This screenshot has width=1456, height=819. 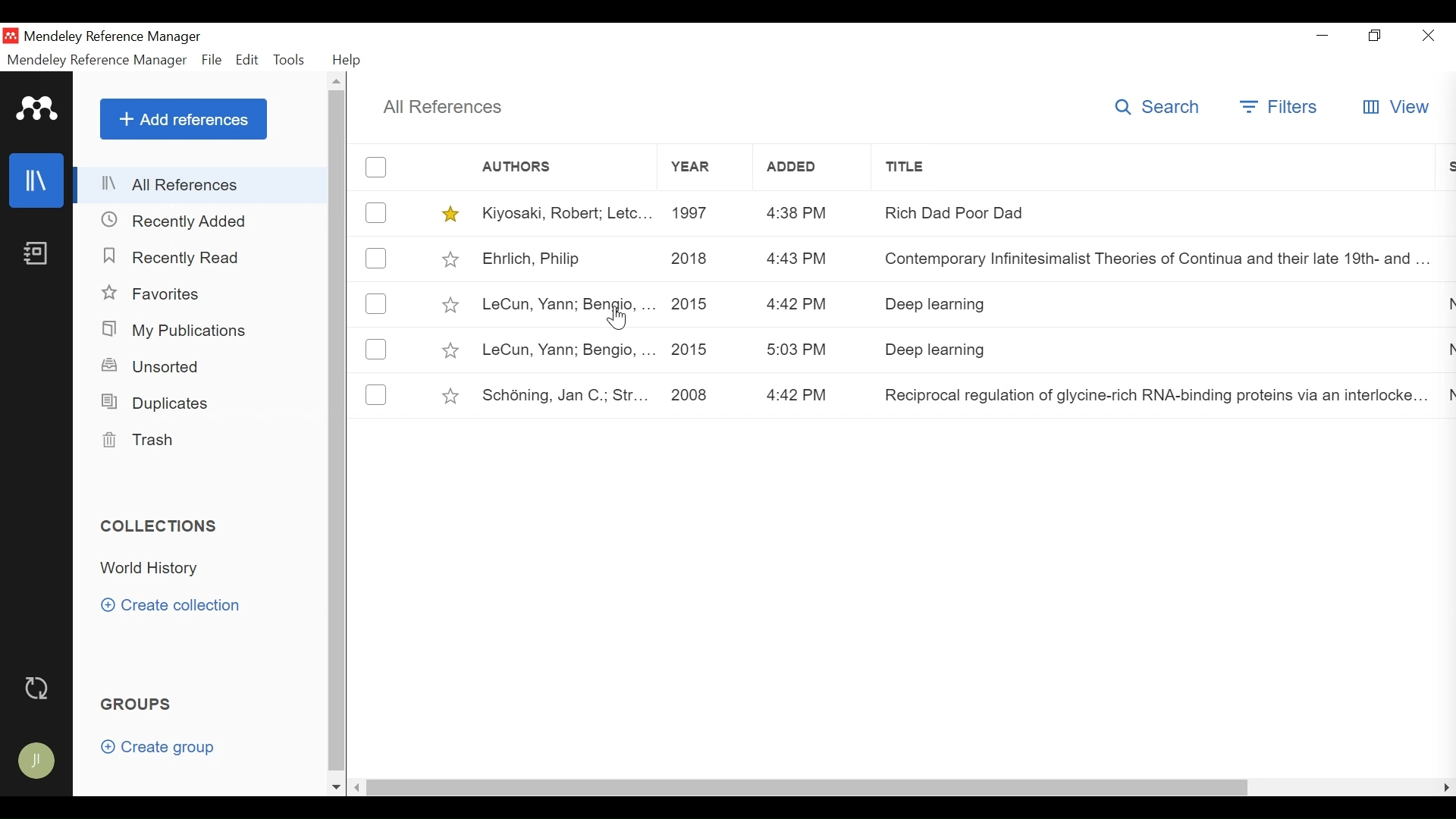 I want to click on minimize, so click(x=1323, y=35).